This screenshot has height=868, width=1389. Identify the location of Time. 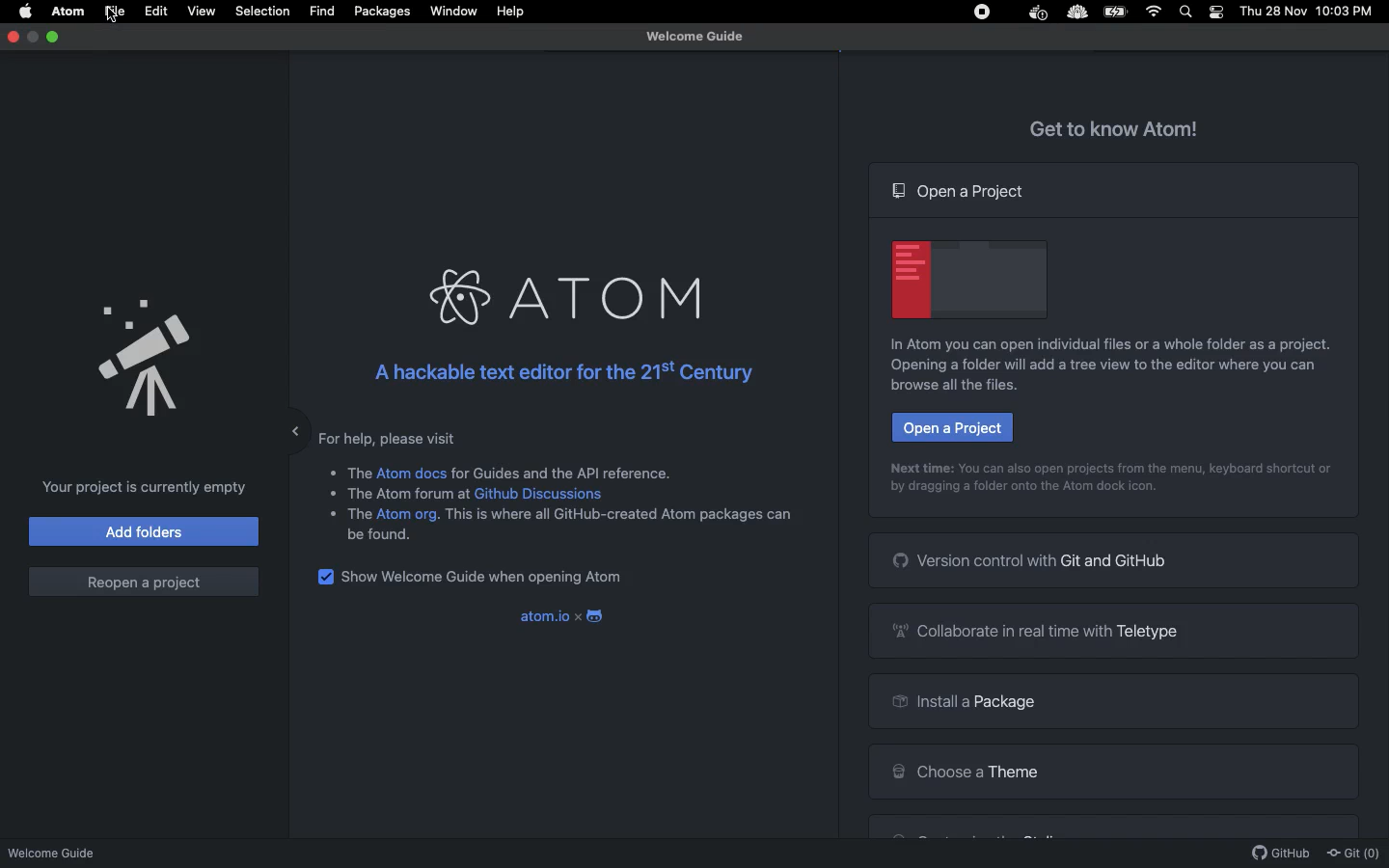
(1348, 13).